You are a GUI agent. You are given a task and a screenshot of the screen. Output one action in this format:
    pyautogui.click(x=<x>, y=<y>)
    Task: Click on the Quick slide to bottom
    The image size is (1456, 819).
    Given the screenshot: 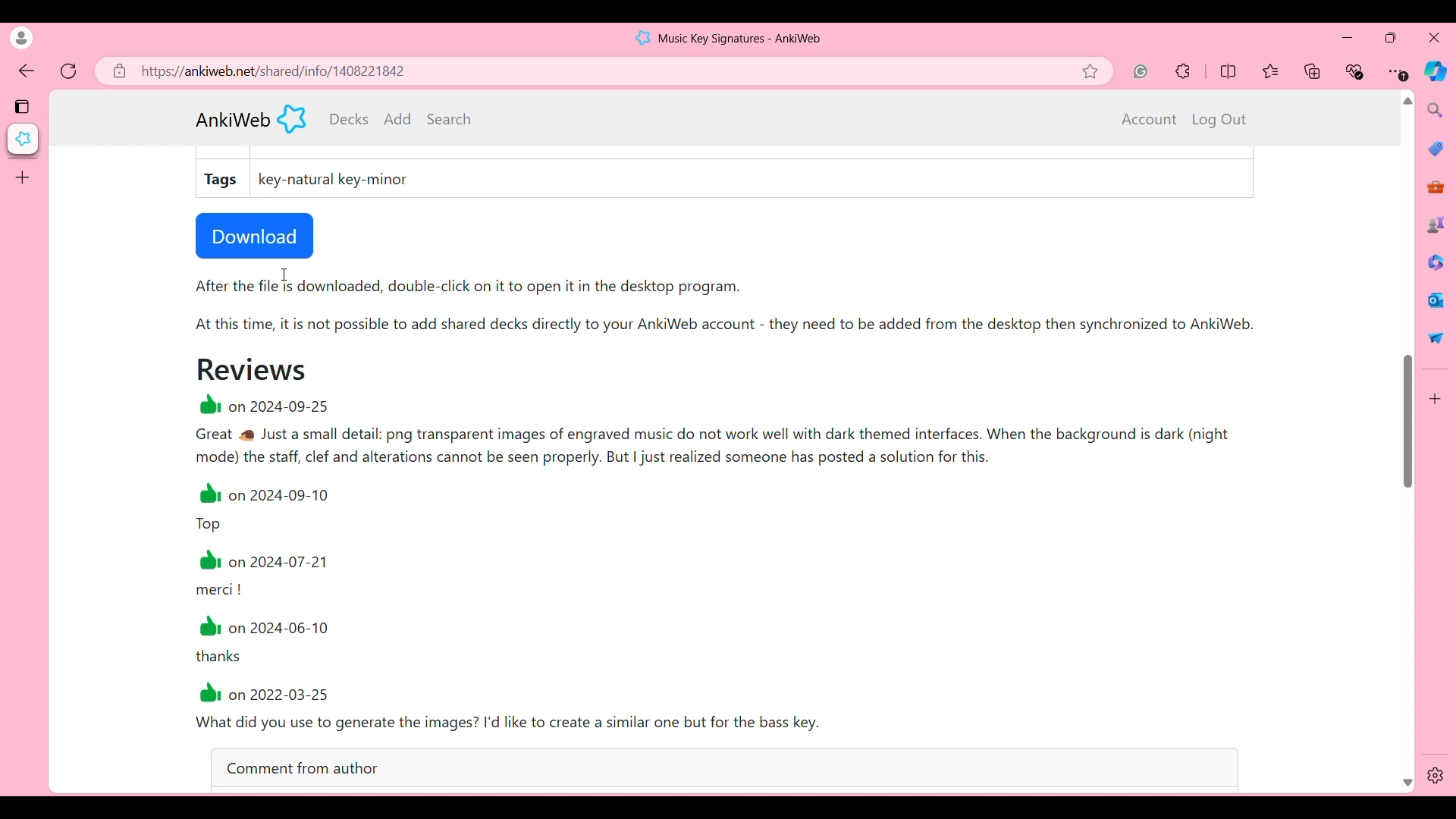 What is the action you would take?
    pyautogui.click(x=1407, y=783)
    